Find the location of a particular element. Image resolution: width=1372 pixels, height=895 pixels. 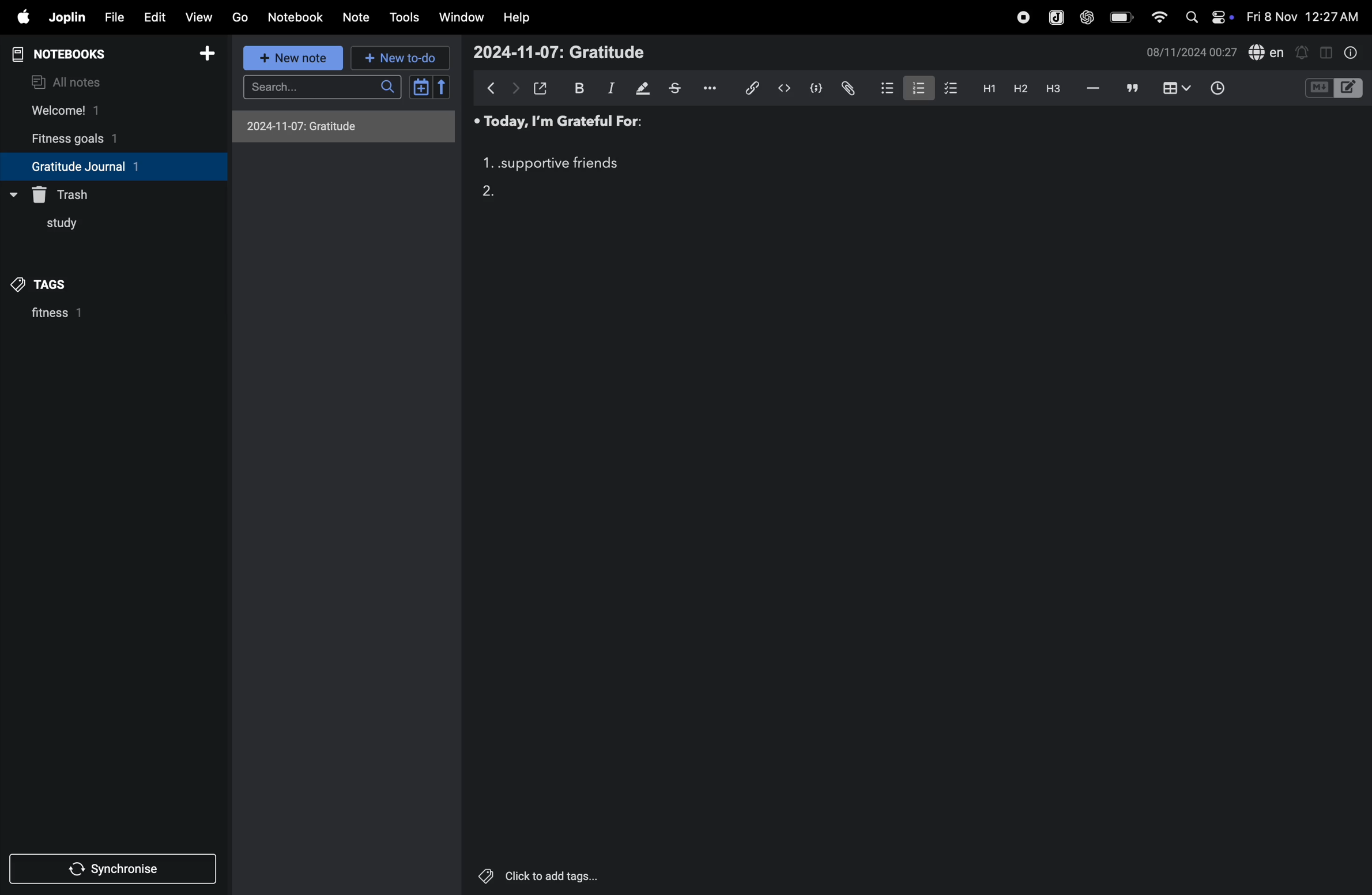

options is located at coordinates (715, 87).